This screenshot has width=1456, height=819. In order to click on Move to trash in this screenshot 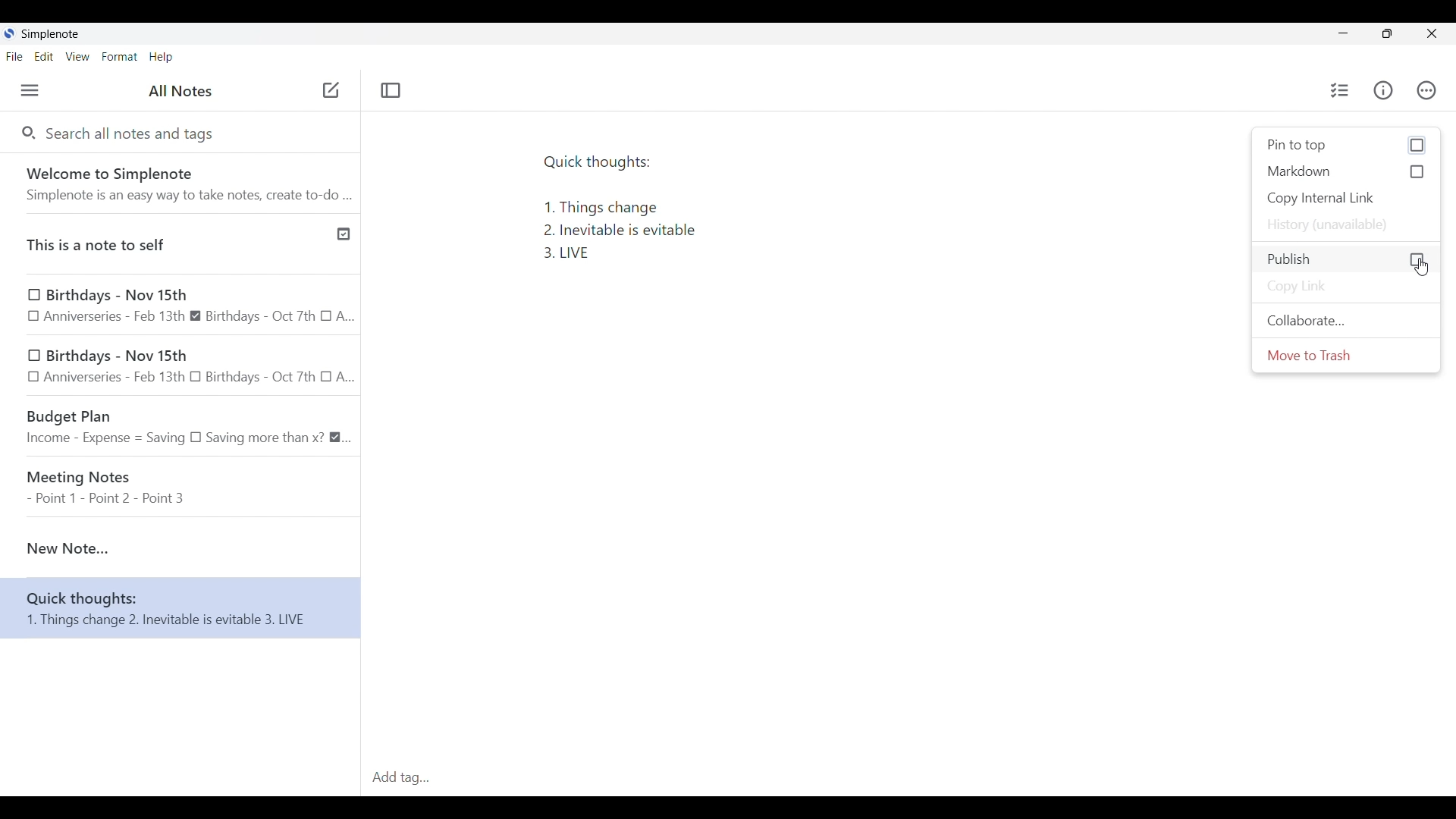, I will do `click(1346, 355)`.